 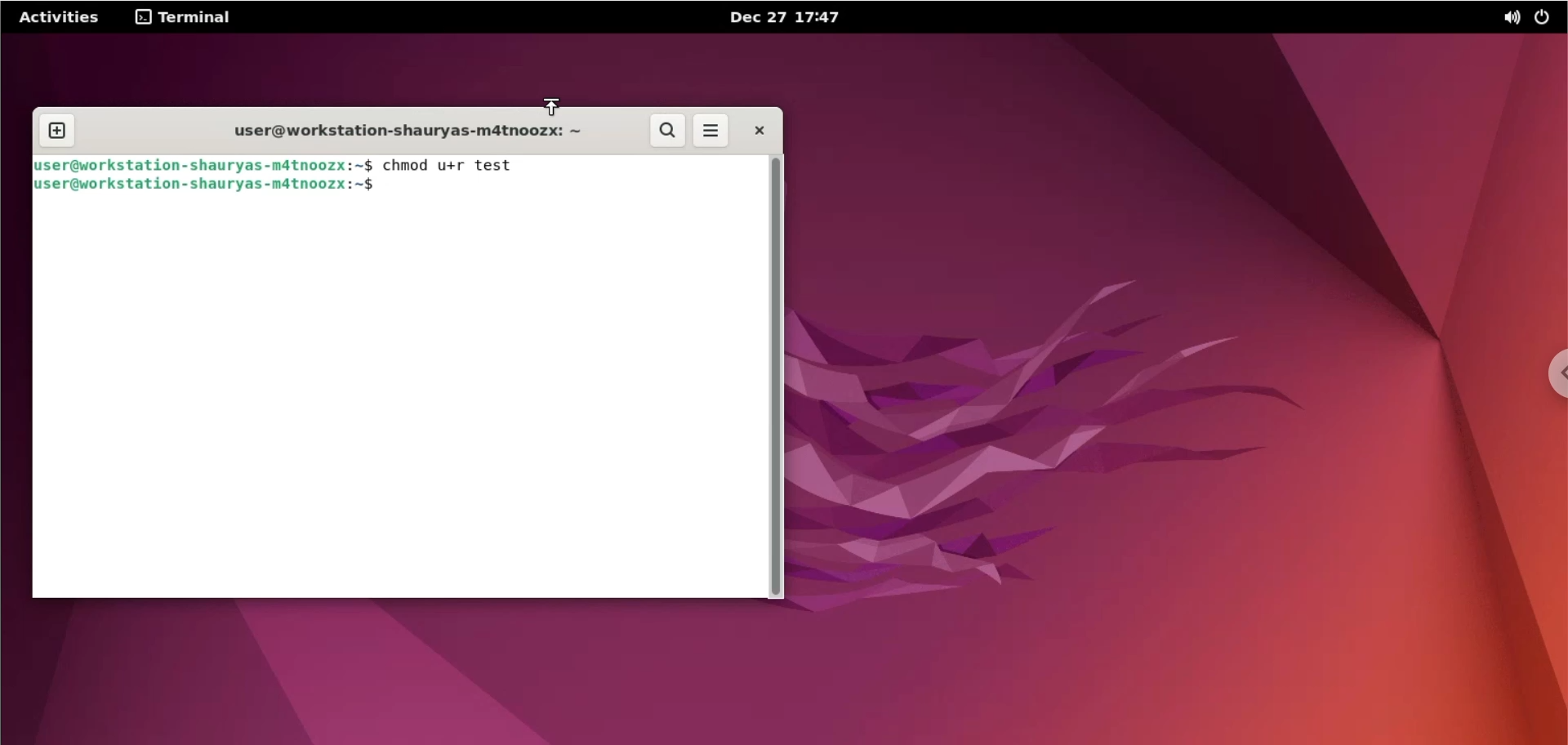 I want to click on terminal, so click(x=188, y=17).